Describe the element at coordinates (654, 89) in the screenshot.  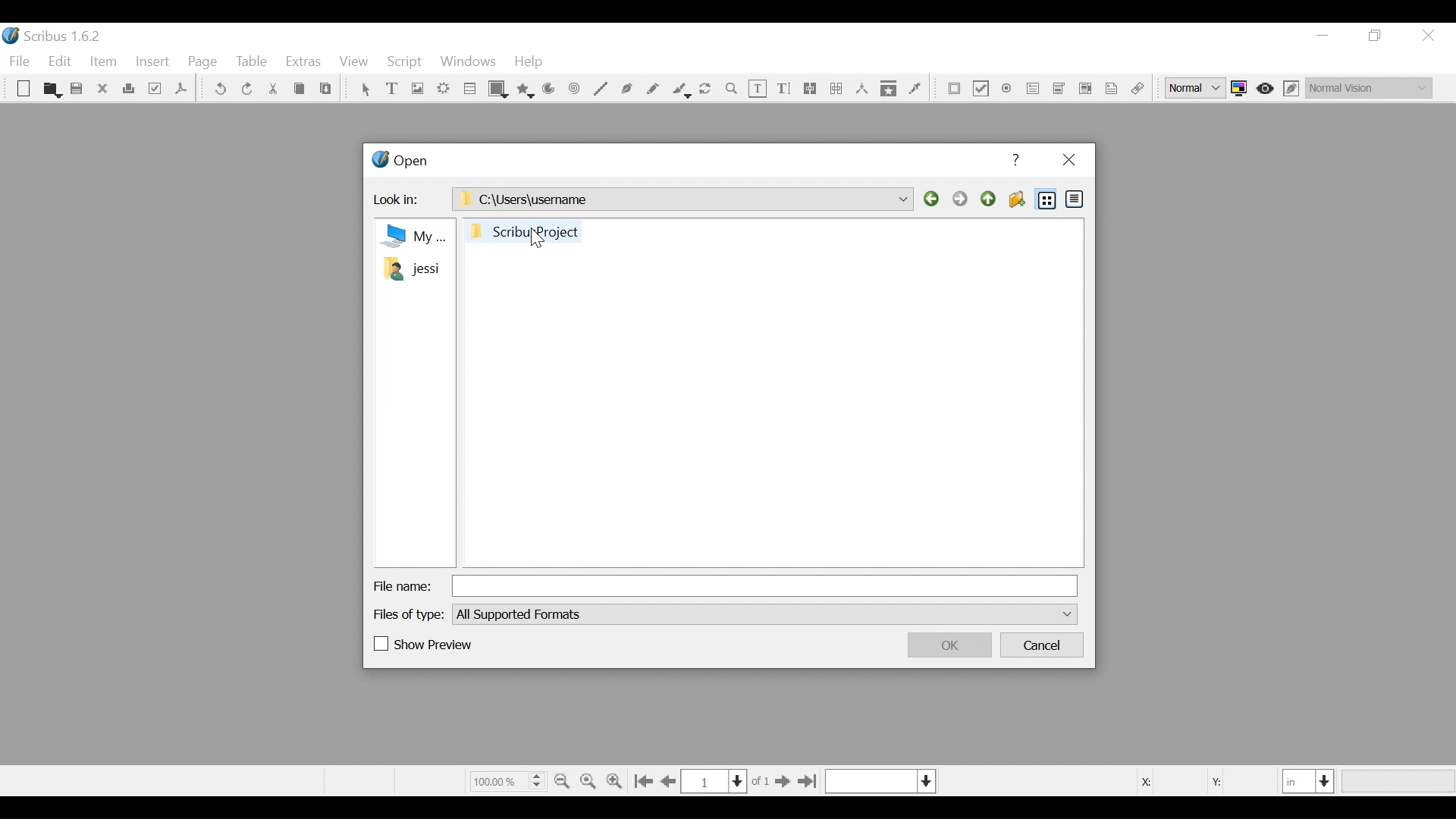
I see `Freehand line` at that location.